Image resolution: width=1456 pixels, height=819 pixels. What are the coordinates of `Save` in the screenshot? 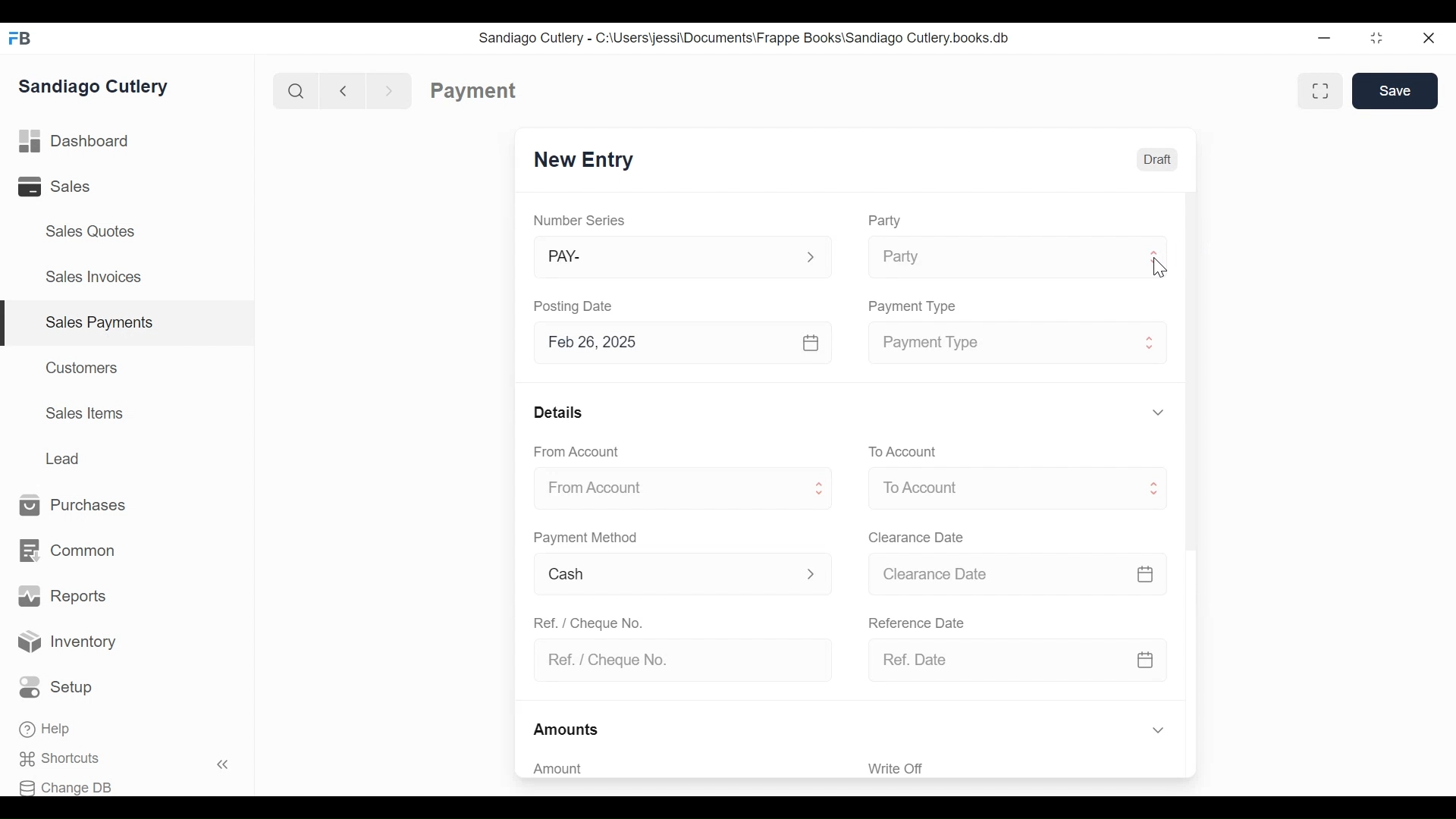 It's located at (1395, 91).